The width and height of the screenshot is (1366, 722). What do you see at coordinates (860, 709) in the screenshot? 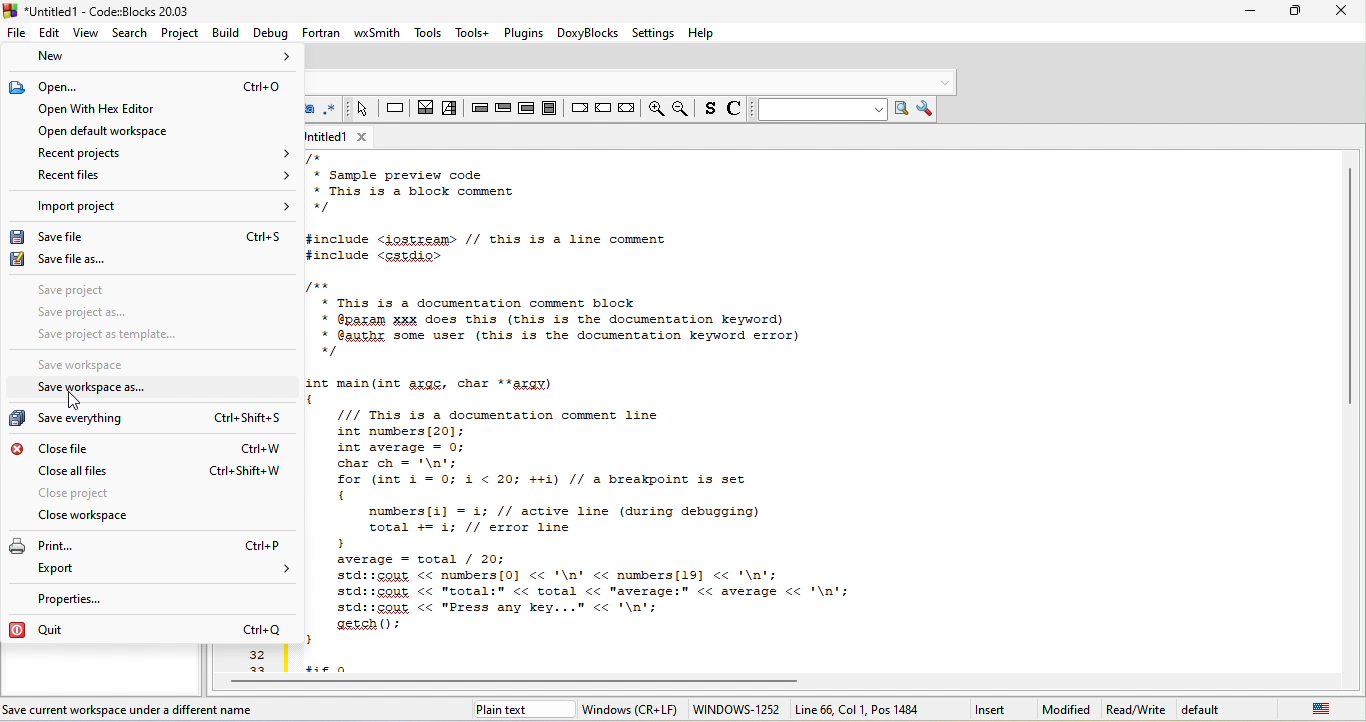
I see `line 66 col 1, pos 1484` at bounding box center [860, 709].